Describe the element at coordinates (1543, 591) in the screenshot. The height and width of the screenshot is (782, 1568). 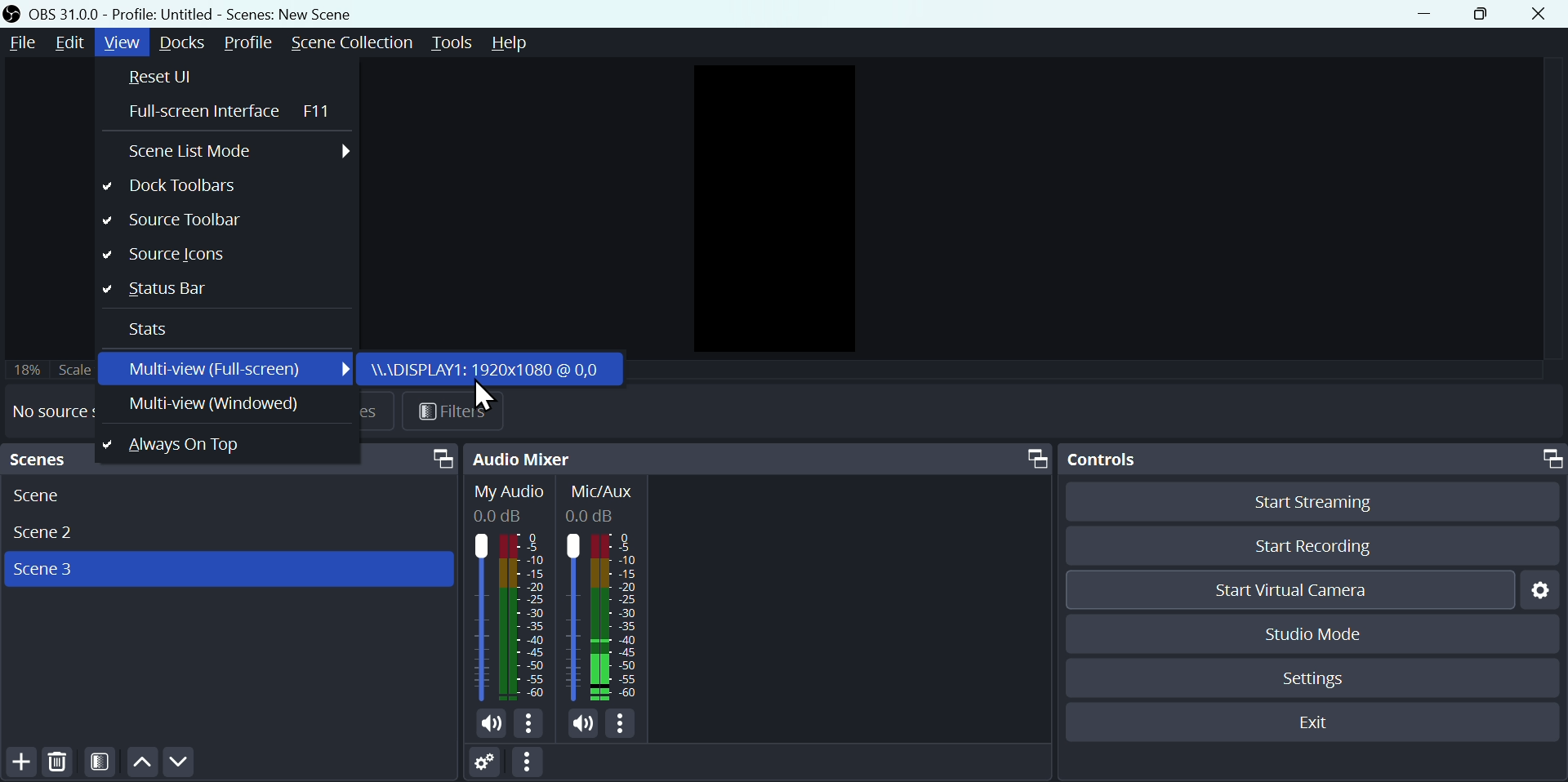
I see `Settings` at that location.